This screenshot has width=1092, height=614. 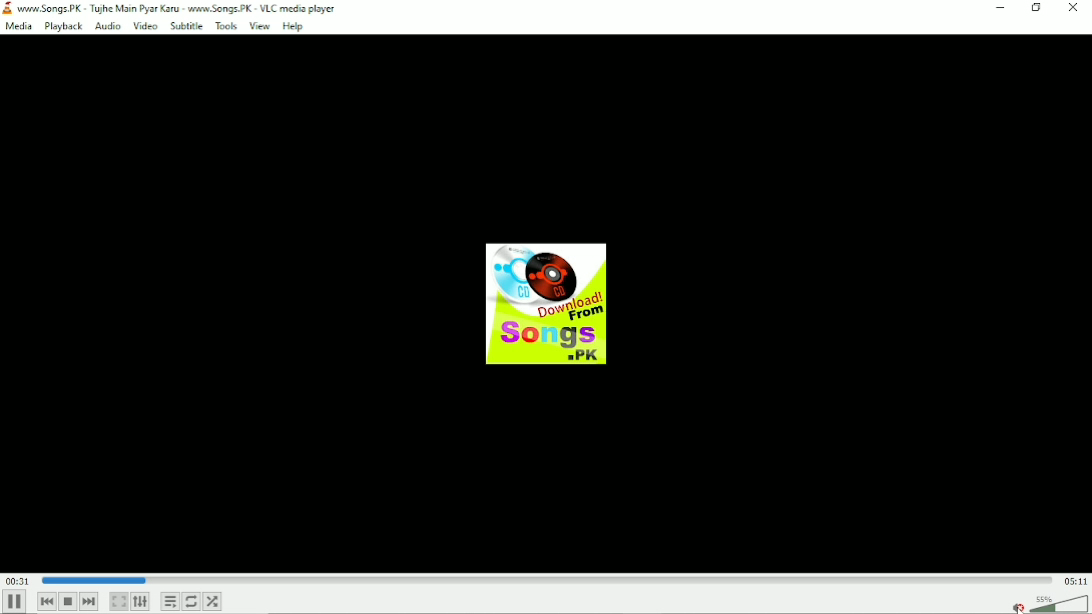 I want to click on Total duration, so click(x=1075, y=581).